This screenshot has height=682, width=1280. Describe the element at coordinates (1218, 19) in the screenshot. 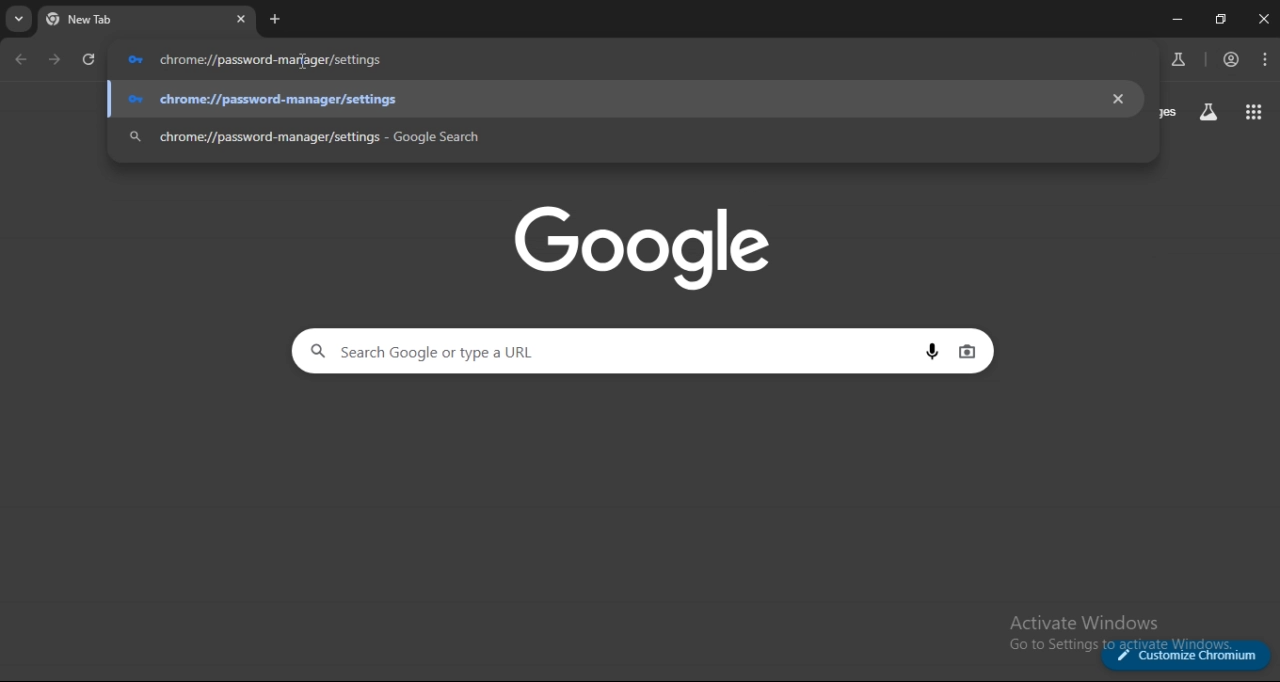

I see `restore down` at that location.